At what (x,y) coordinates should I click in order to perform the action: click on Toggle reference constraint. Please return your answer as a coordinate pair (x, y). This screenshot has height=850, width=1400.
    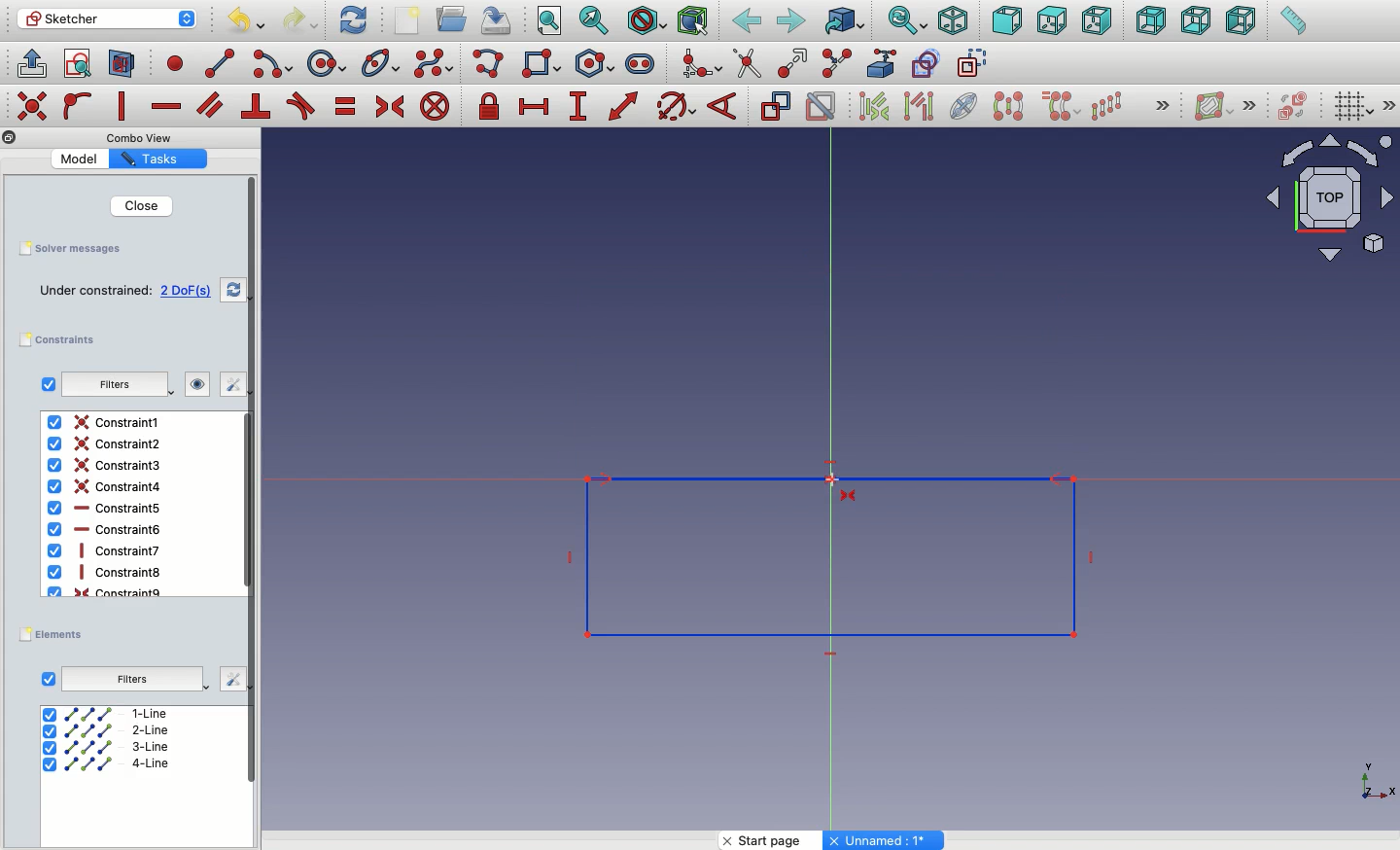
    Looking at the image, I should click on (775, 105).